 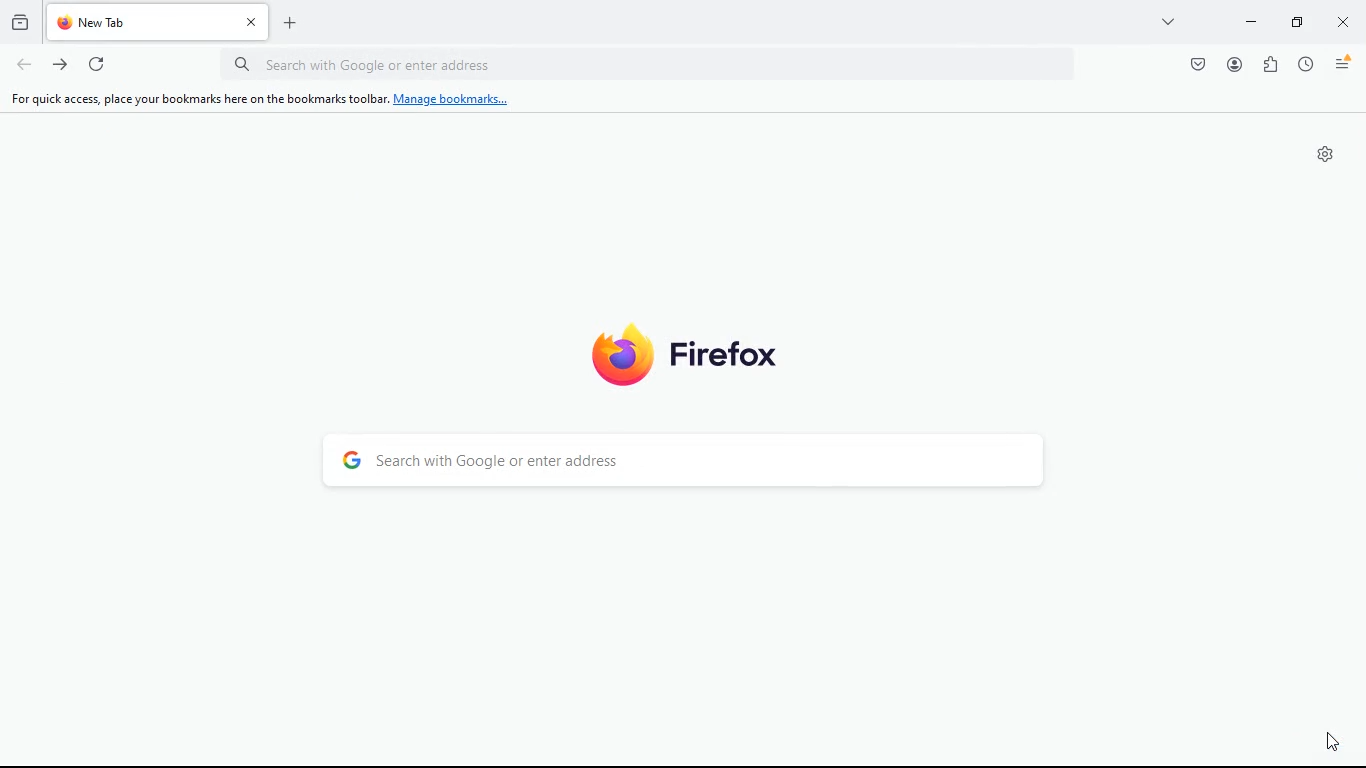 What do you see at coordinates (160, 24) in the screenshot?
I see `tab` at bounding box center [160, 24].